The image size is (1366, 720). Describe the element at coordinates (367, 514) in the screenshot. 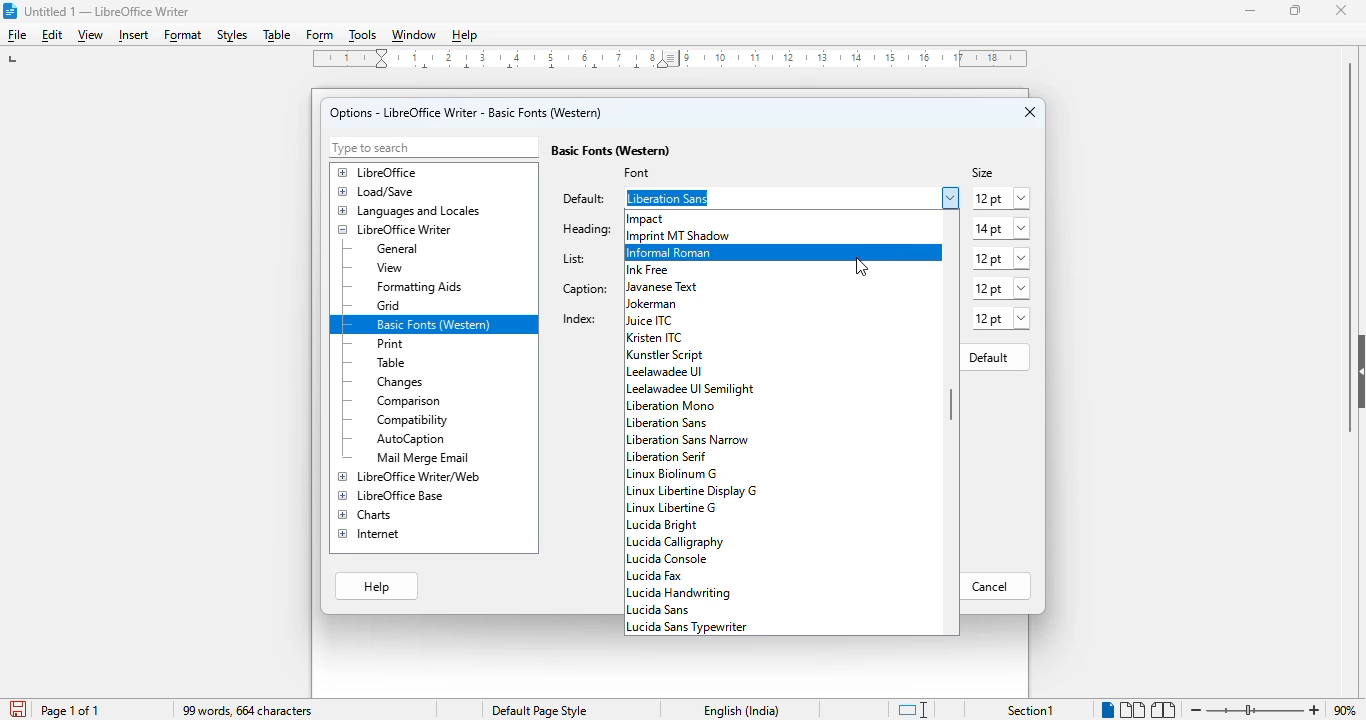

I see `charts` at that location.